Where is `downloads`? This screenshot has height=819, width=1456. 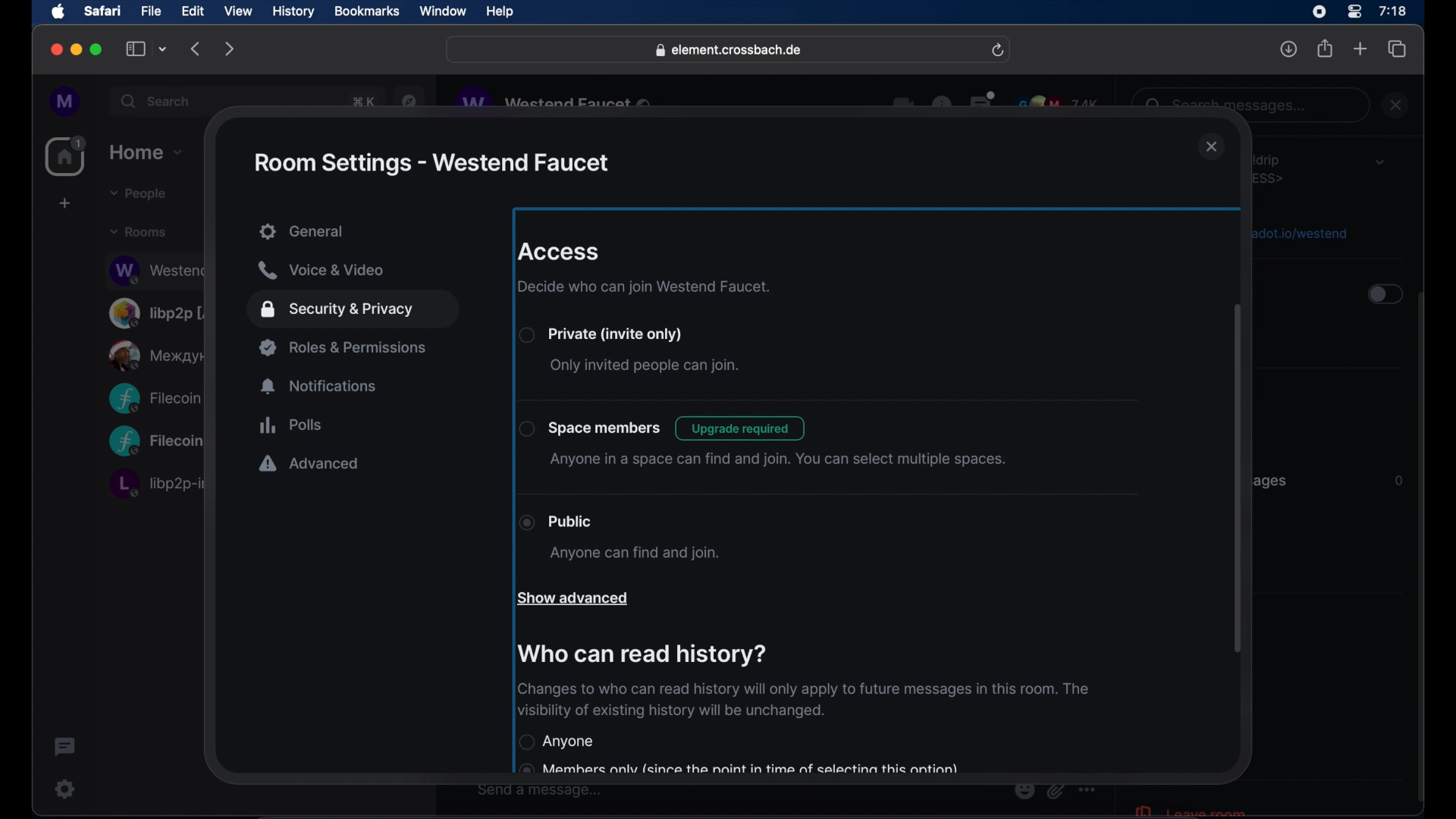 downloads is located at coordinates (1289, 49).